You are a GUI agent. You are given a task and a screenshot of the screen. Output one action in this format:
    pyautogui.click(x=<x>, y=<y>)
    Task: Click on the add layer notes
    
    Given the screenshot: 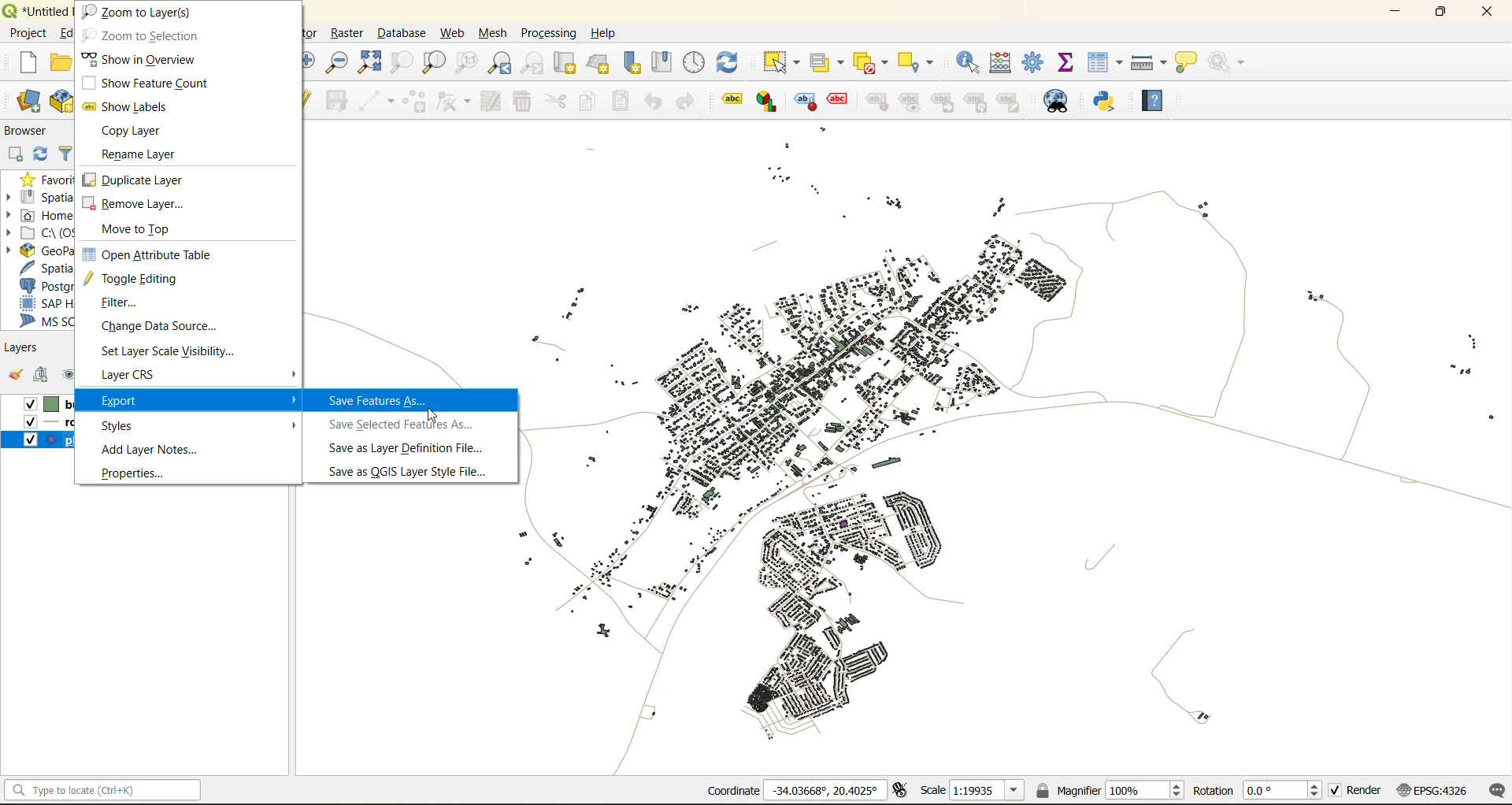 What is the action you would take?
    pyautogui.click(x=150, y=450)
    